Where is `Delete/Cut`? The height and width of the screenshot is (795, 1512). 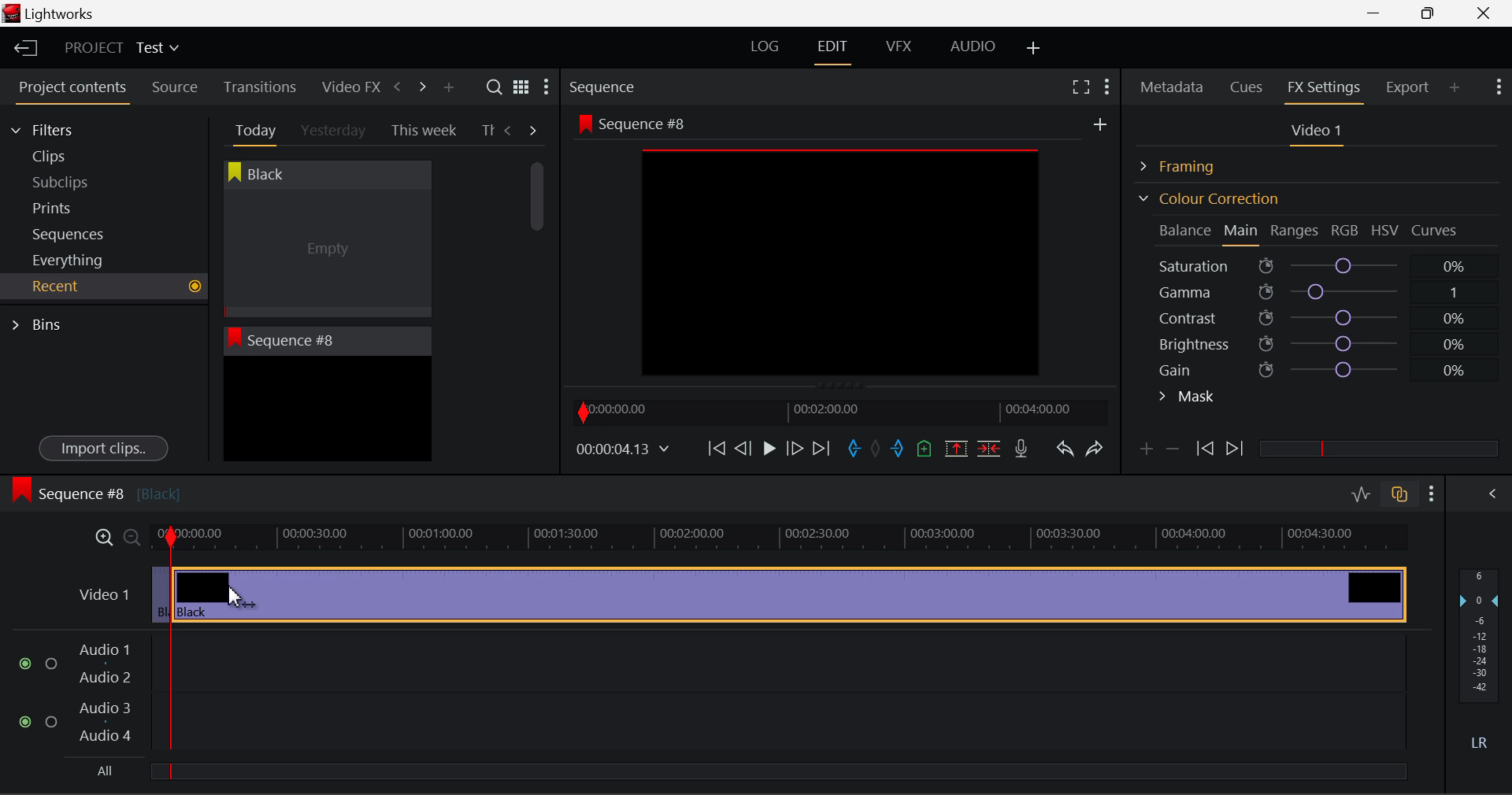 Delete/Cut is located at coordinates (989, 448).